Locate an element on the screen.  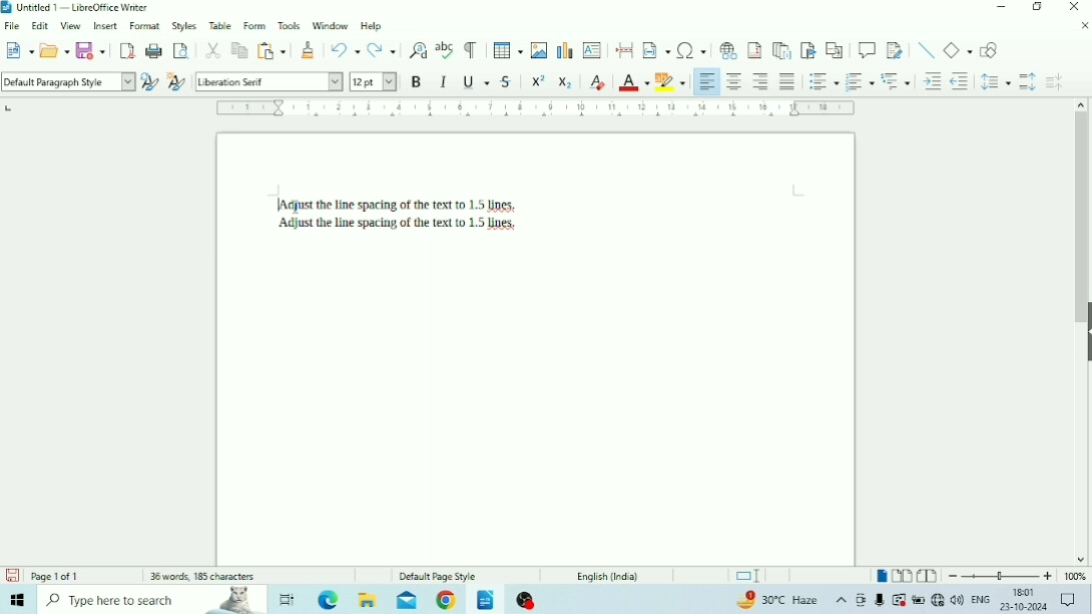
Insert Footnote is located at coordinates (756, 49).